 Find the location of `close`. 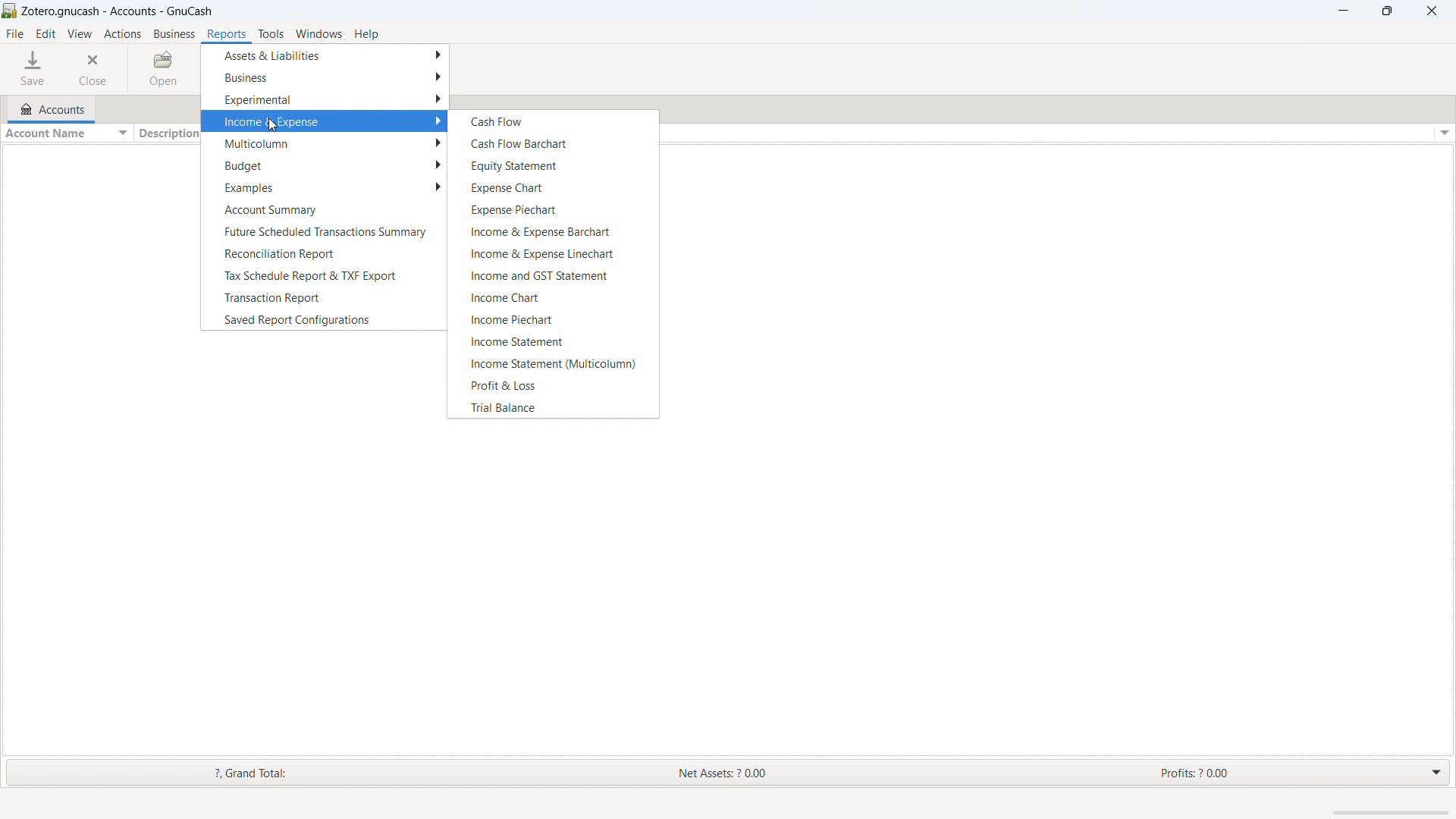

close is located at coordinates (96, 68).